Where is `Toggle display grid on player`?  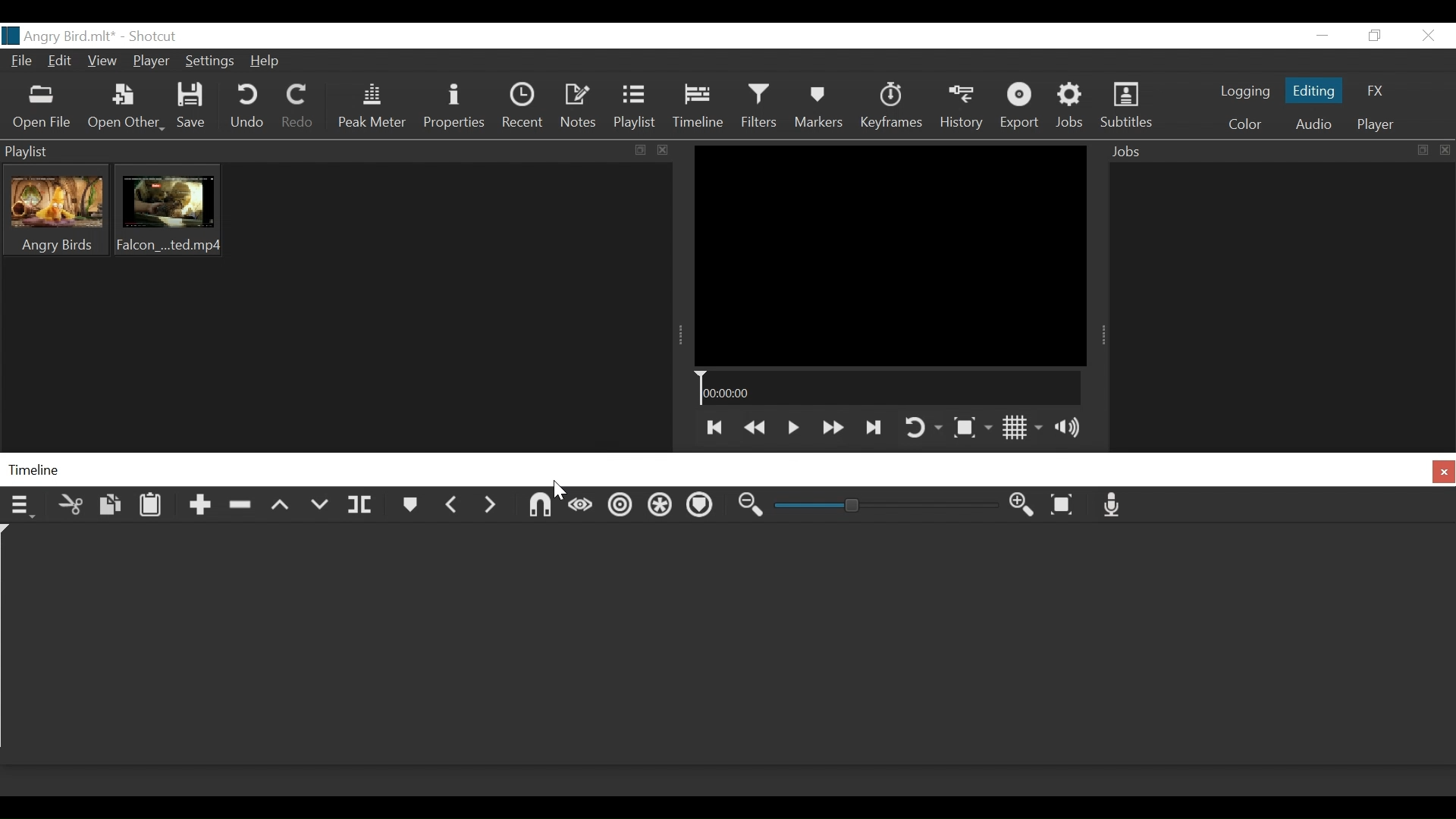 Toggle display grid on player is located at coordinates (1025, 428).